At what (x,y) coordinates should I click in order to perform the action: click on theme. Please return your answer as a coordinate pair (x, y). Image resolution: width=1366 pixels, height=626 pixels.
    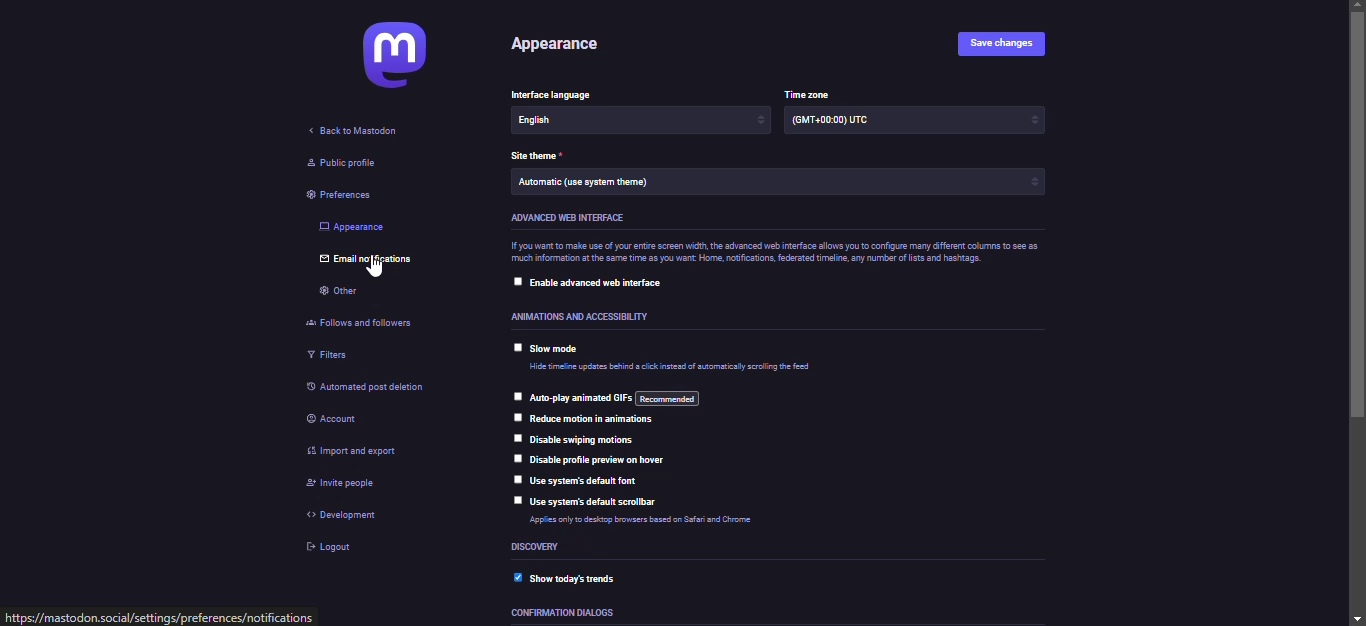
    Looking at the image, I should click on (536, 156).